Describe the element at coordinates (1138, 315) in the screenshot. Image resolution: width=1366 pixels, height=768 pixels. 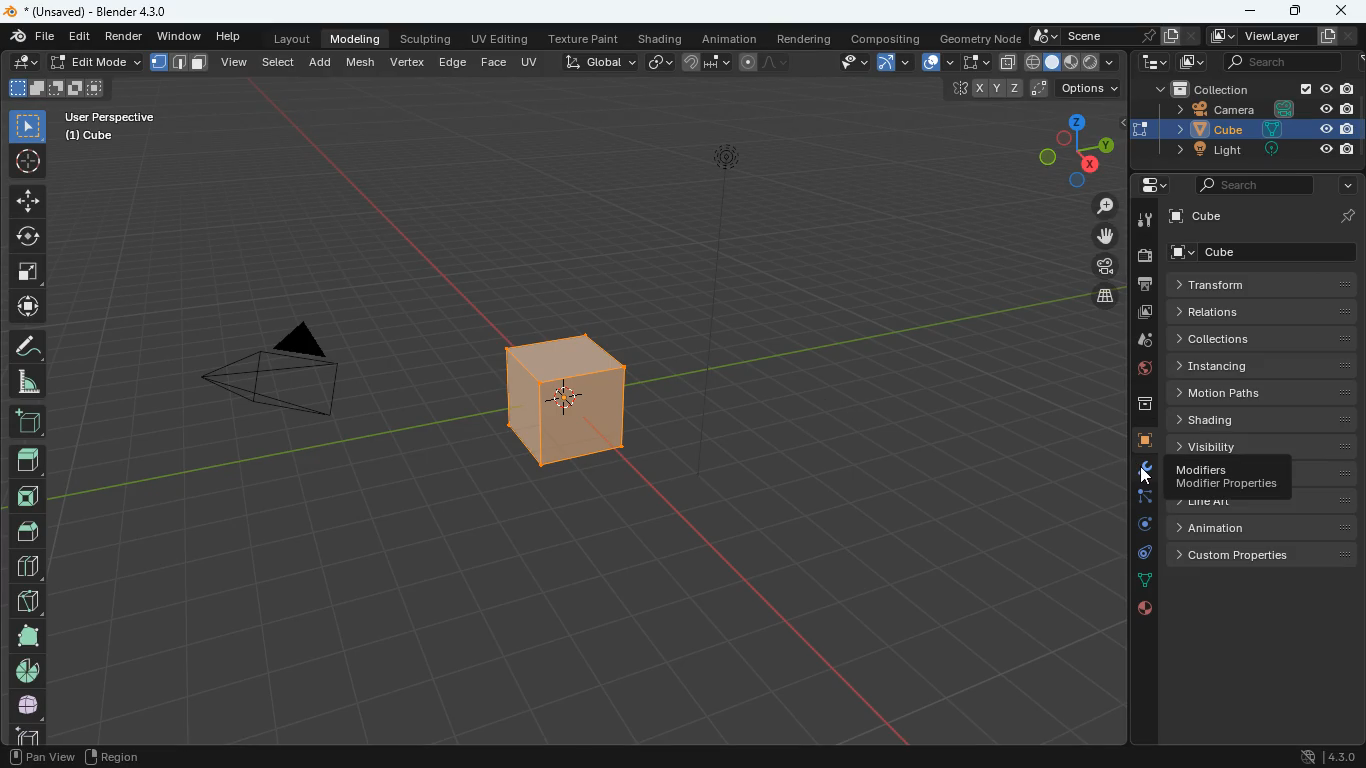
I see `image` at that location.